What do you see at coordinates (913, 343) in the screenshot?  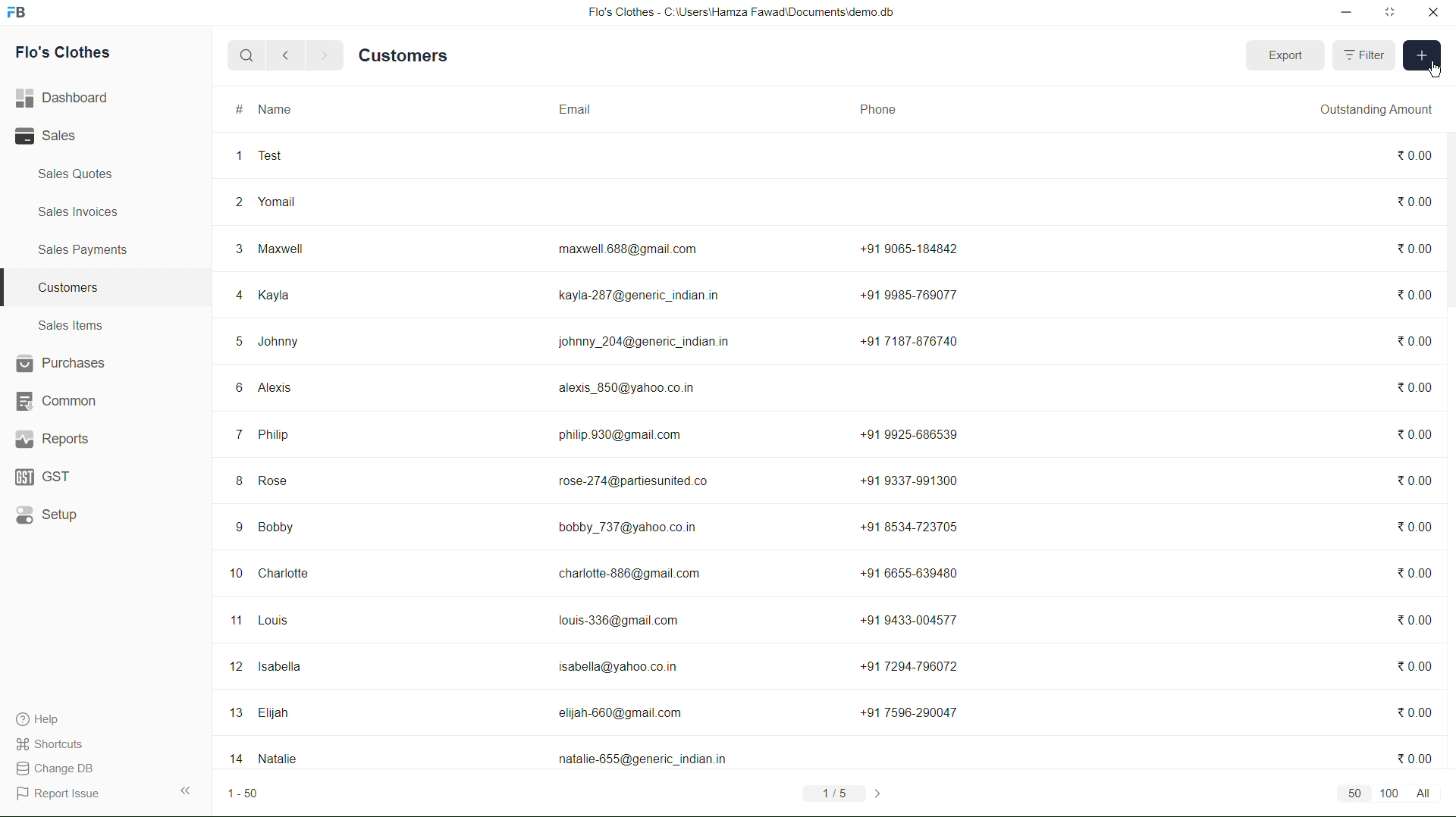 I see `+91 7187-876740` at bounding box center [913, 343].